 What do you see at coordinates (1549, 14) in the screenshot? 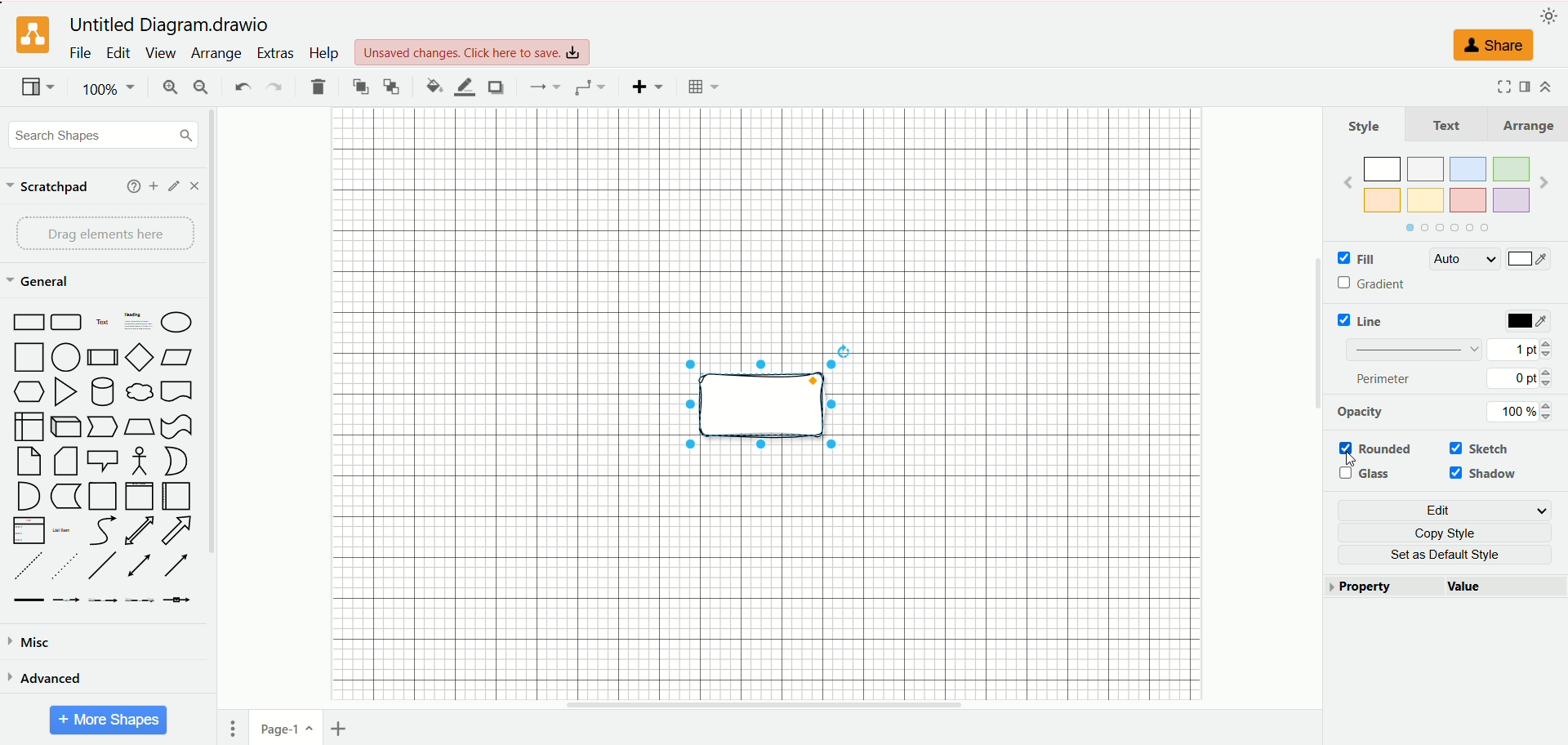
I see `appearance` at bounding box center [1549, 14].